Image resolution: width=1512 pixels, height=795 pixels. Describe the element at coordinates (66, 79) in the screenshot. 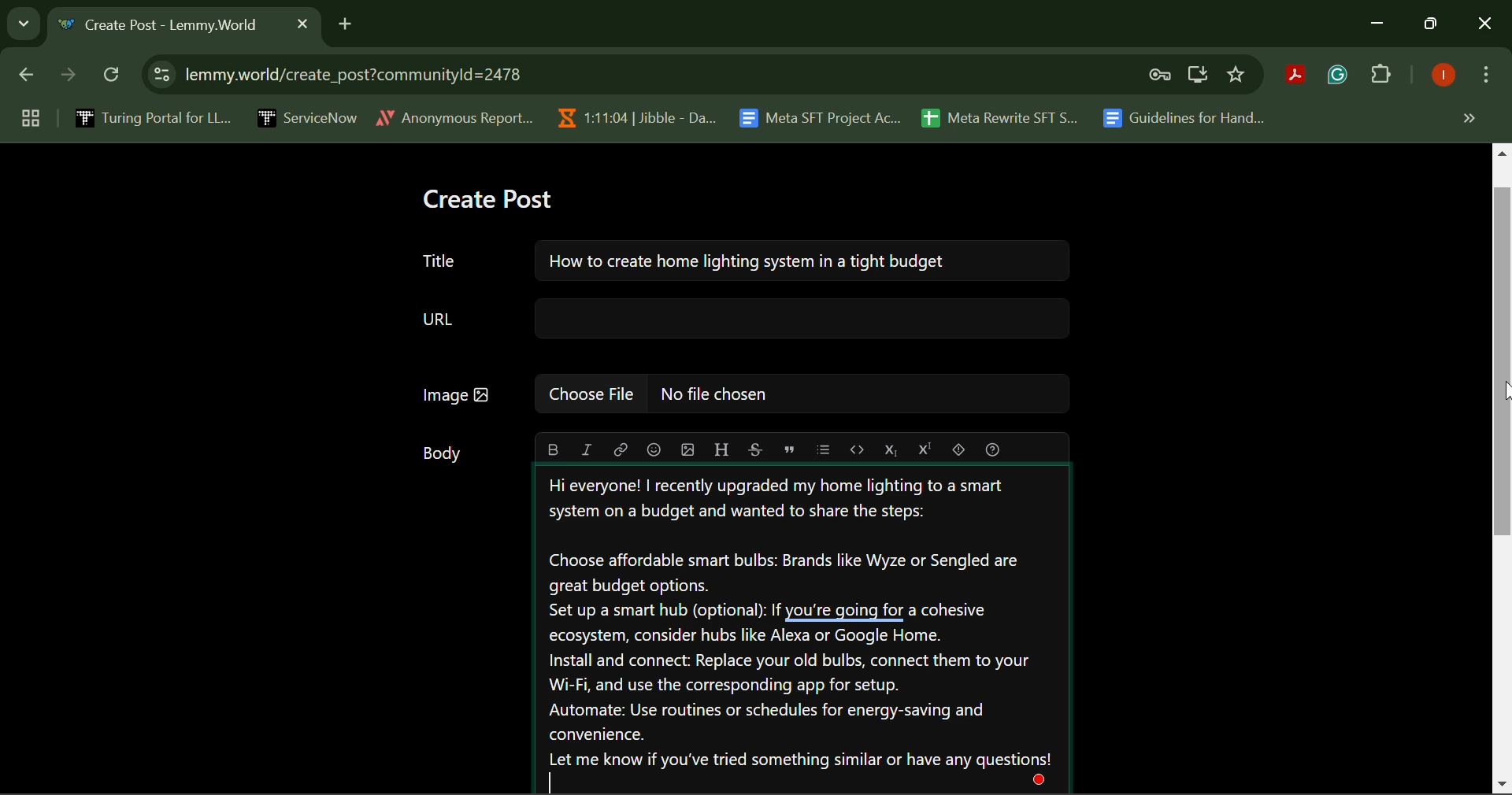

I see `Next Page ` at that location.